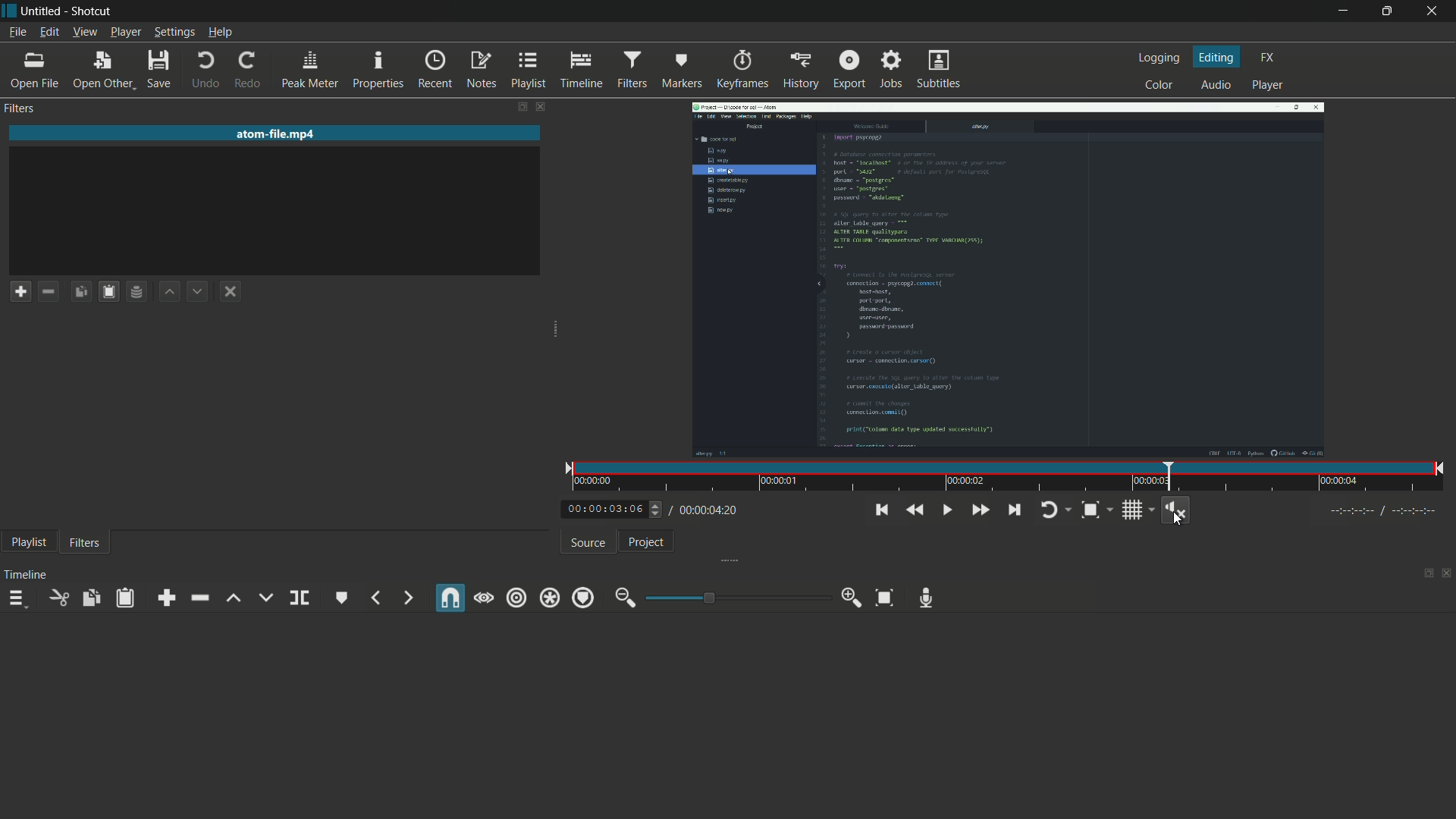  What do you see at coordinates (37, 73) in the screenshot?
I see `open file` at bounding box center [37, 73].